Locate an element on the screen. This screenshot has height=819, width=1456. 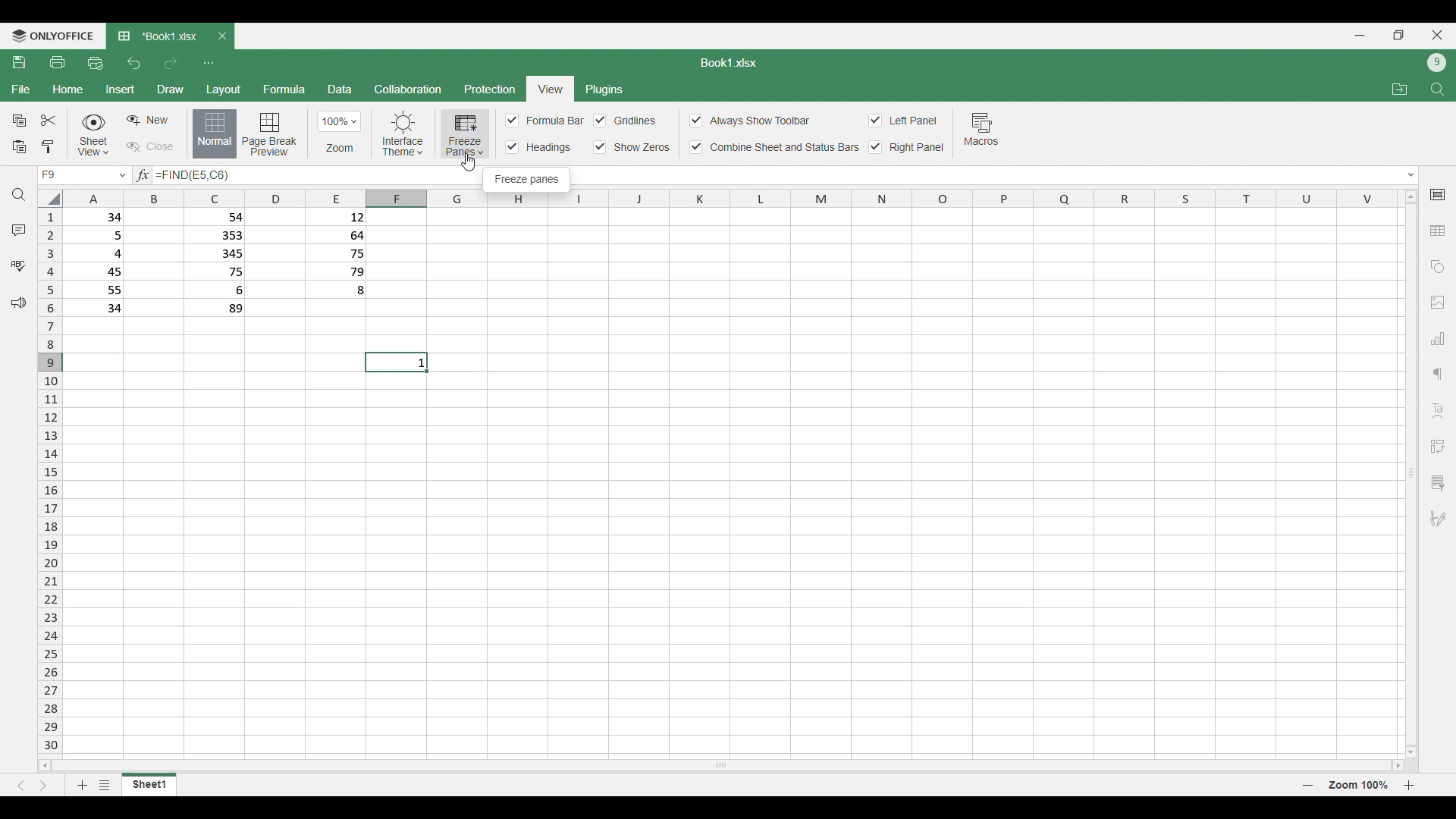
Sheet view options is located at coordinates (93, 135).